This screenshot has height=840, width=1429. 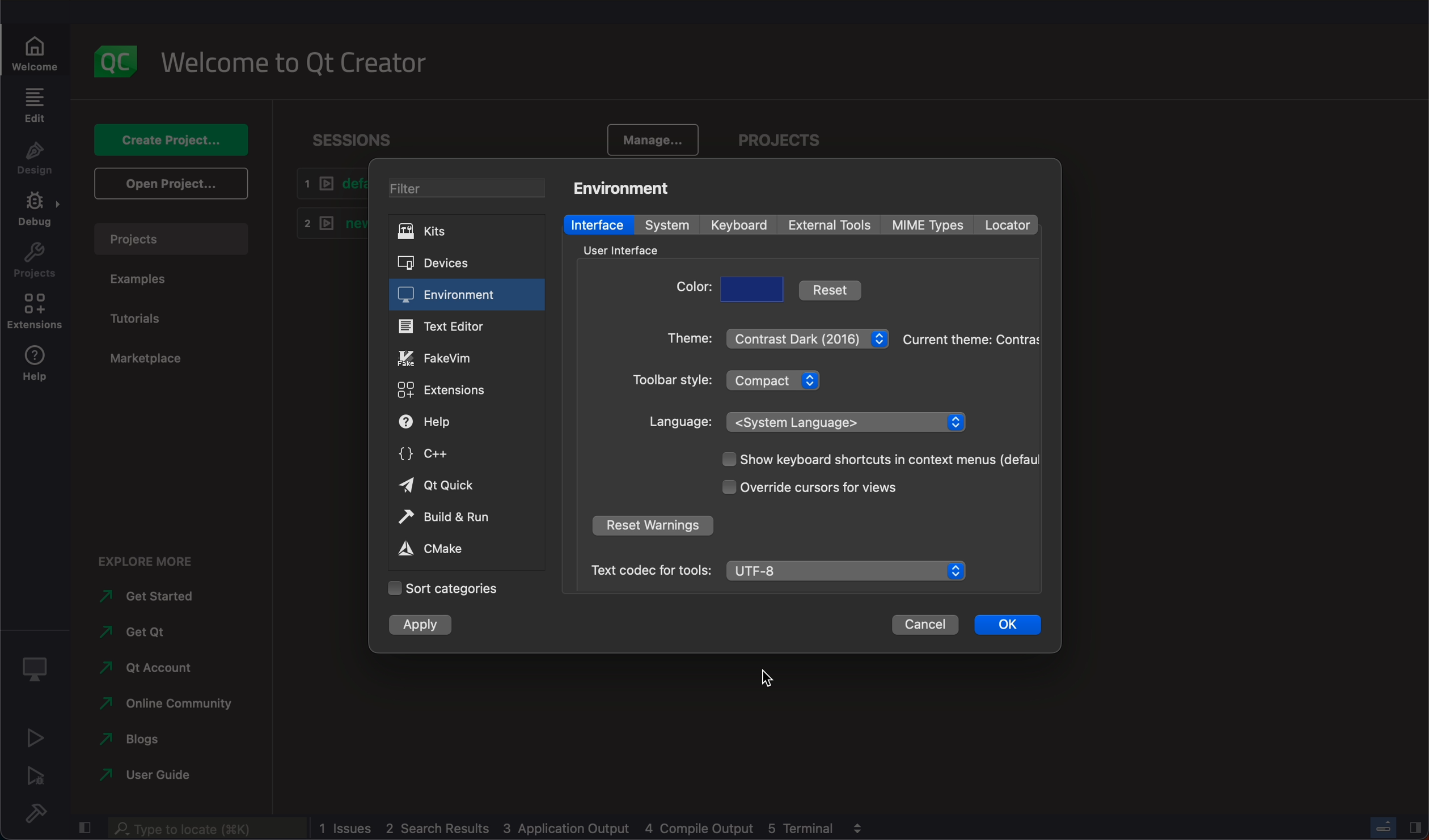 What do you see at coordinates (779, 379) in the screenshot?
I see `compact` at bounding box center [779, 379].